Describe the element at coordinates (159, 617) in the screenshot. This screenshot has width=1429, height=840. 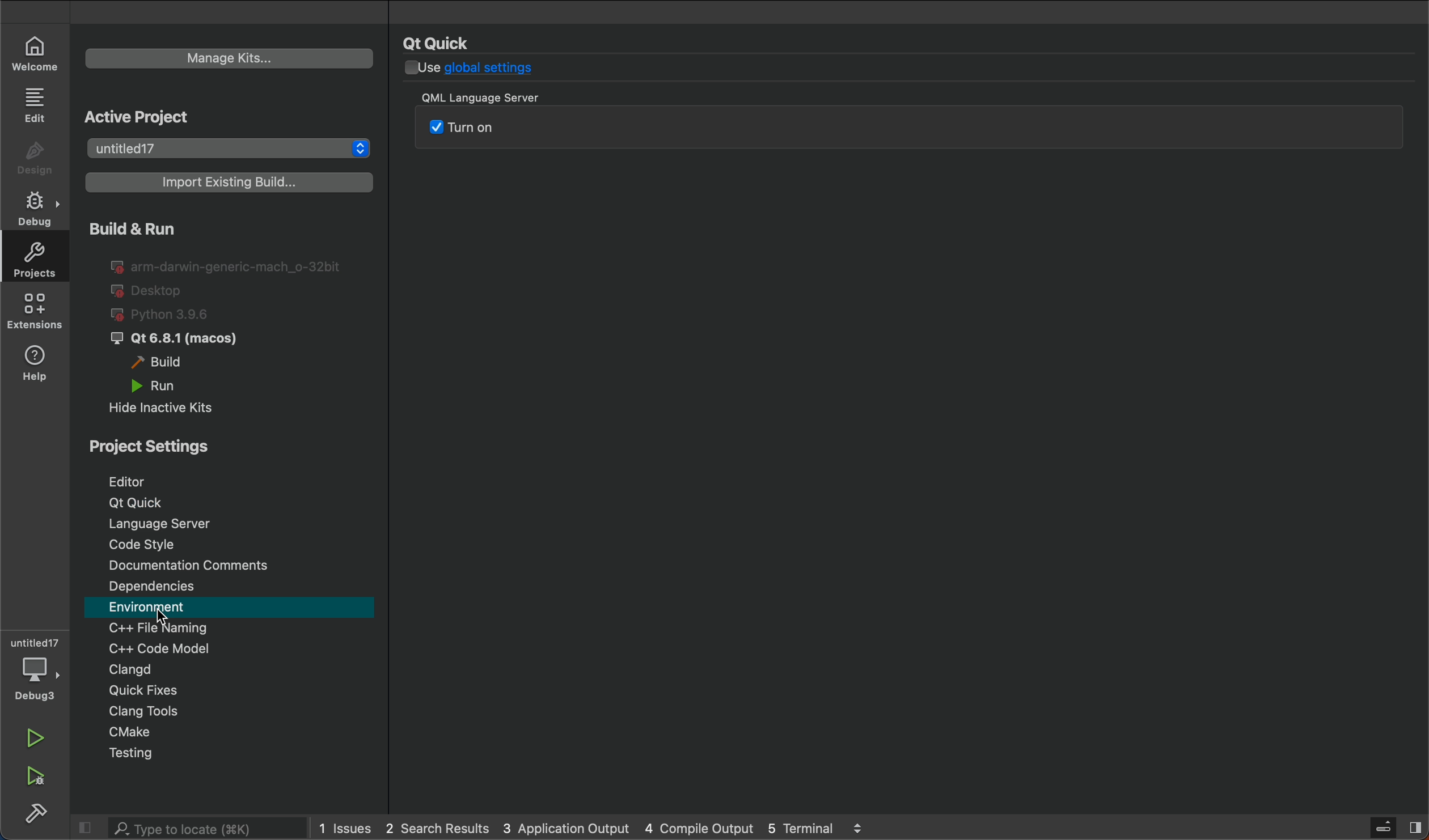
I see `cursor` at that location.